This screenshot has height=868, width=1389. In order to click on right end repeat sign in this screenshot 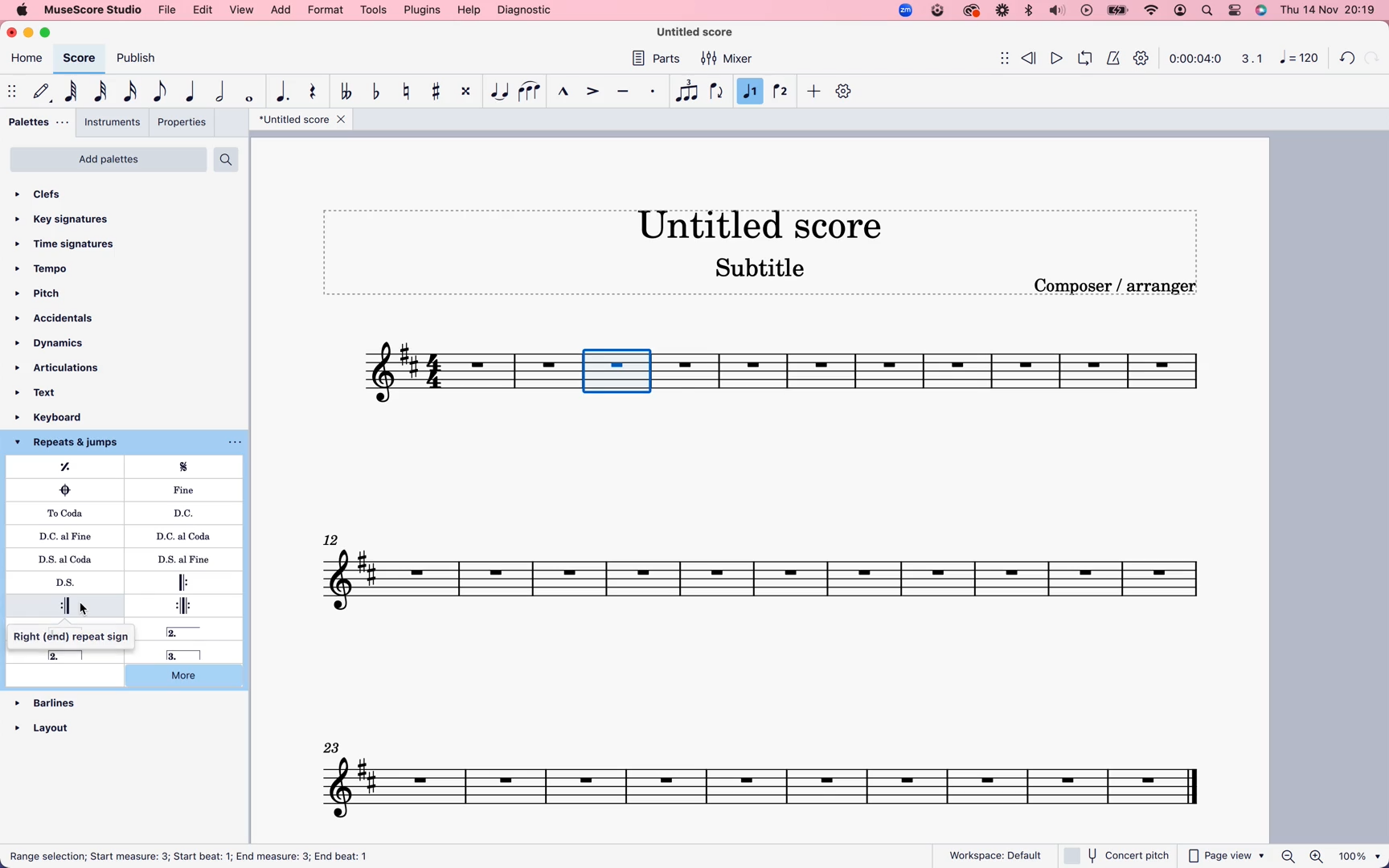, I will do `click(66, 604)`.